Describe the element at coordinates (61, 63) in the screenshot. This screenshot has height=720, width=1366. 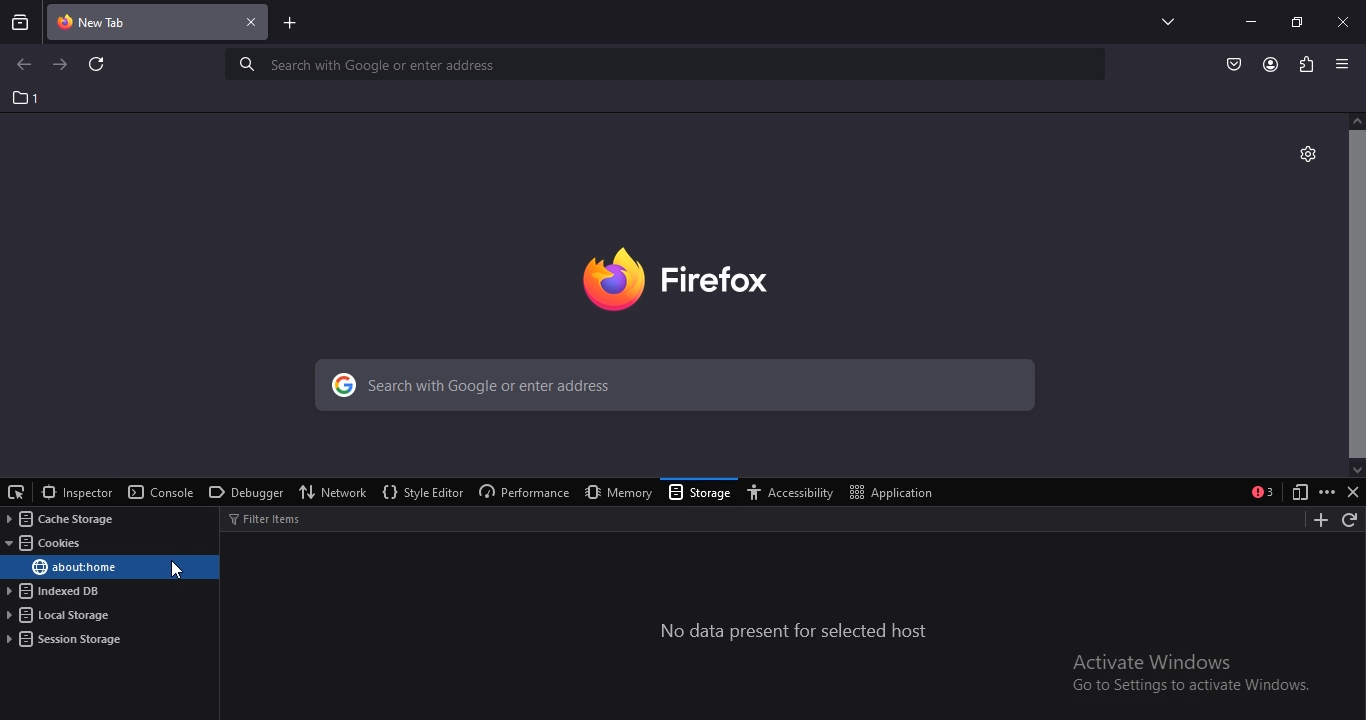
I see `click to go to next page` at that location.